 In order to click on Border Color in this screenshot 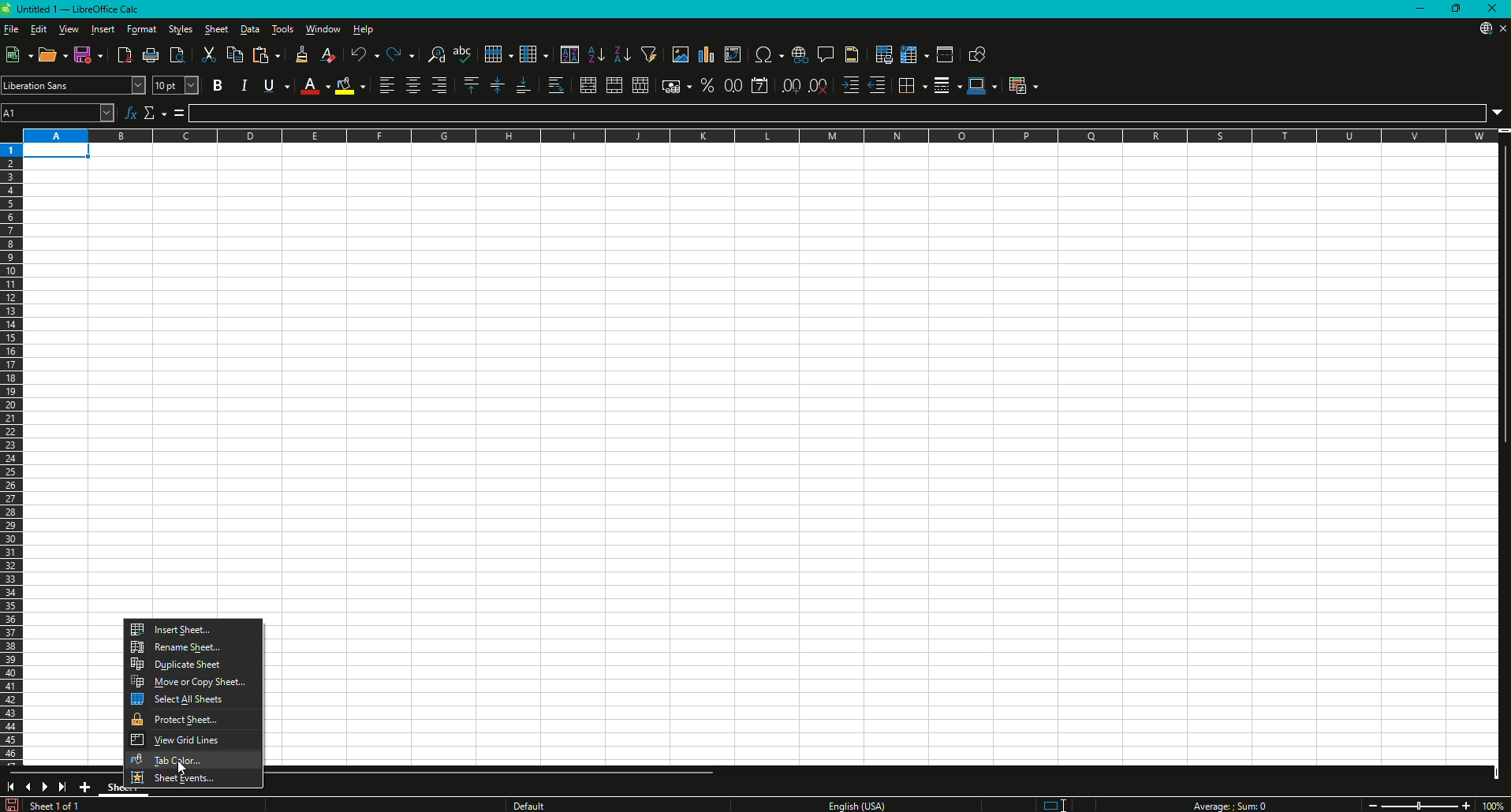, I will do `click(983, 86)`.